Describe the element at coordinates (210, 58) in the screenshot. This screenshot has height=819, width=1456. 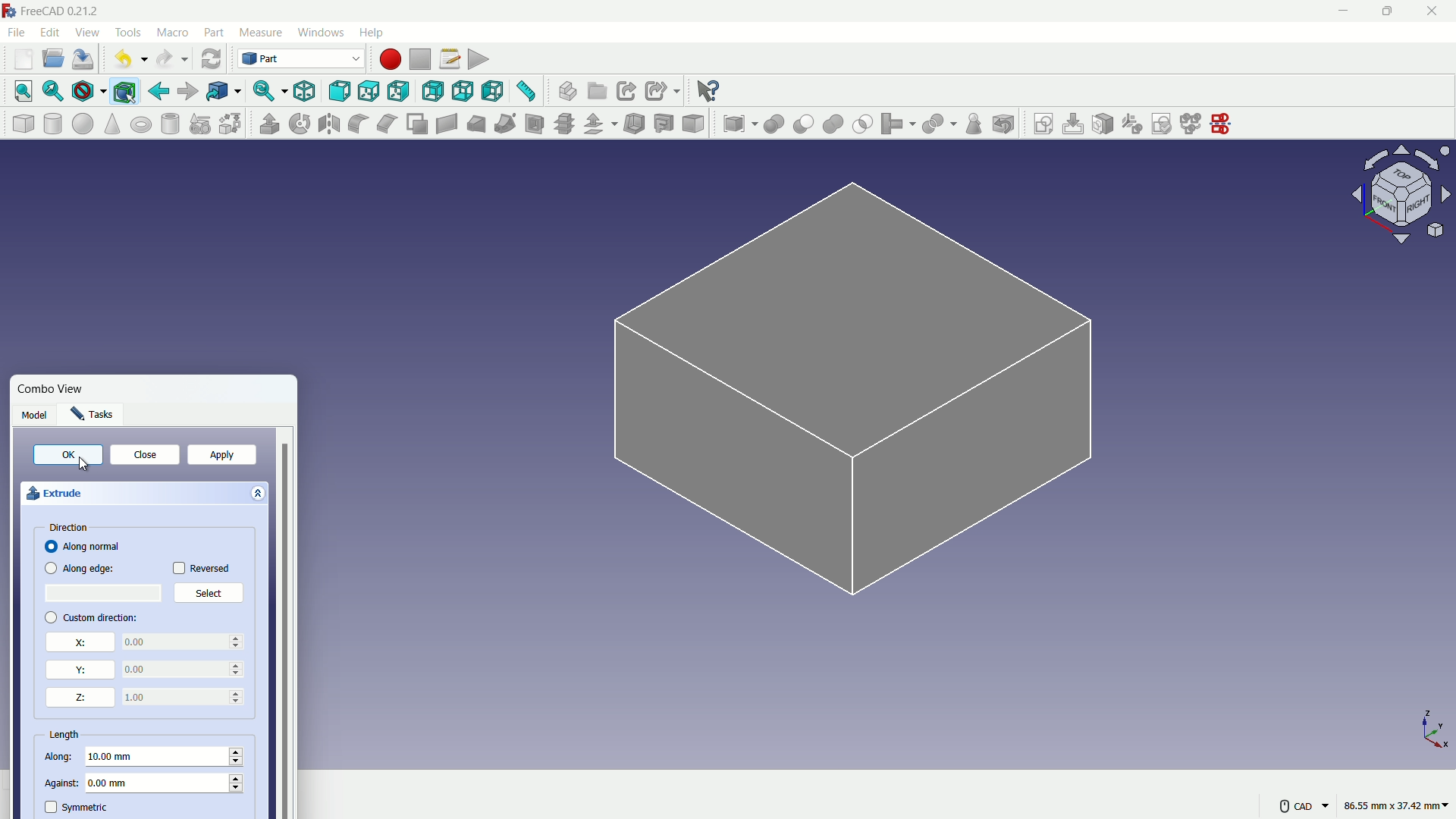
I see `refresh` at that location.